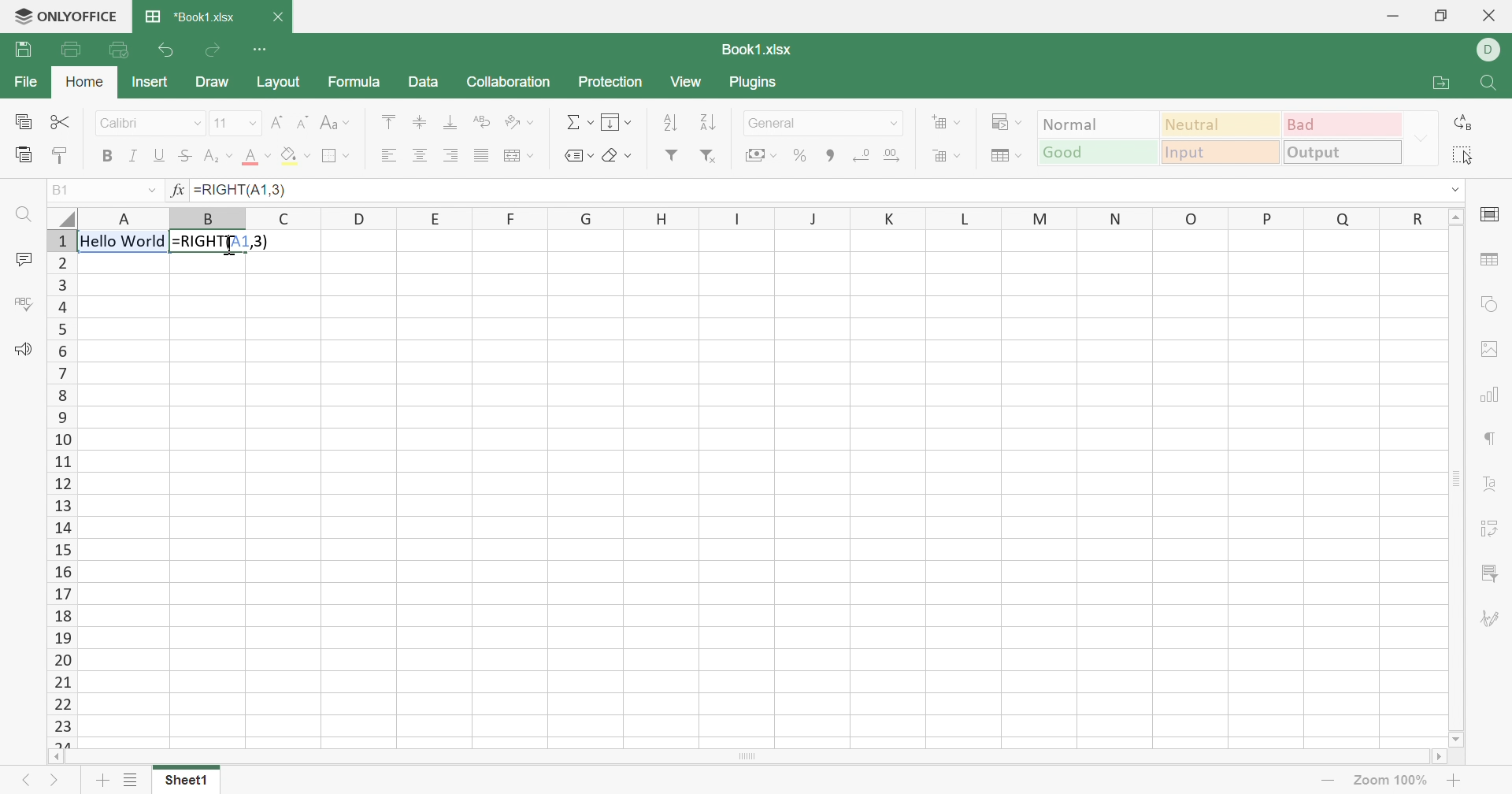 The width and height of the screenshot is (1512, 794). What do you see at coordinates (60, 121) in the screenshot?
I see `Cut` at bounding box center [60, 121].